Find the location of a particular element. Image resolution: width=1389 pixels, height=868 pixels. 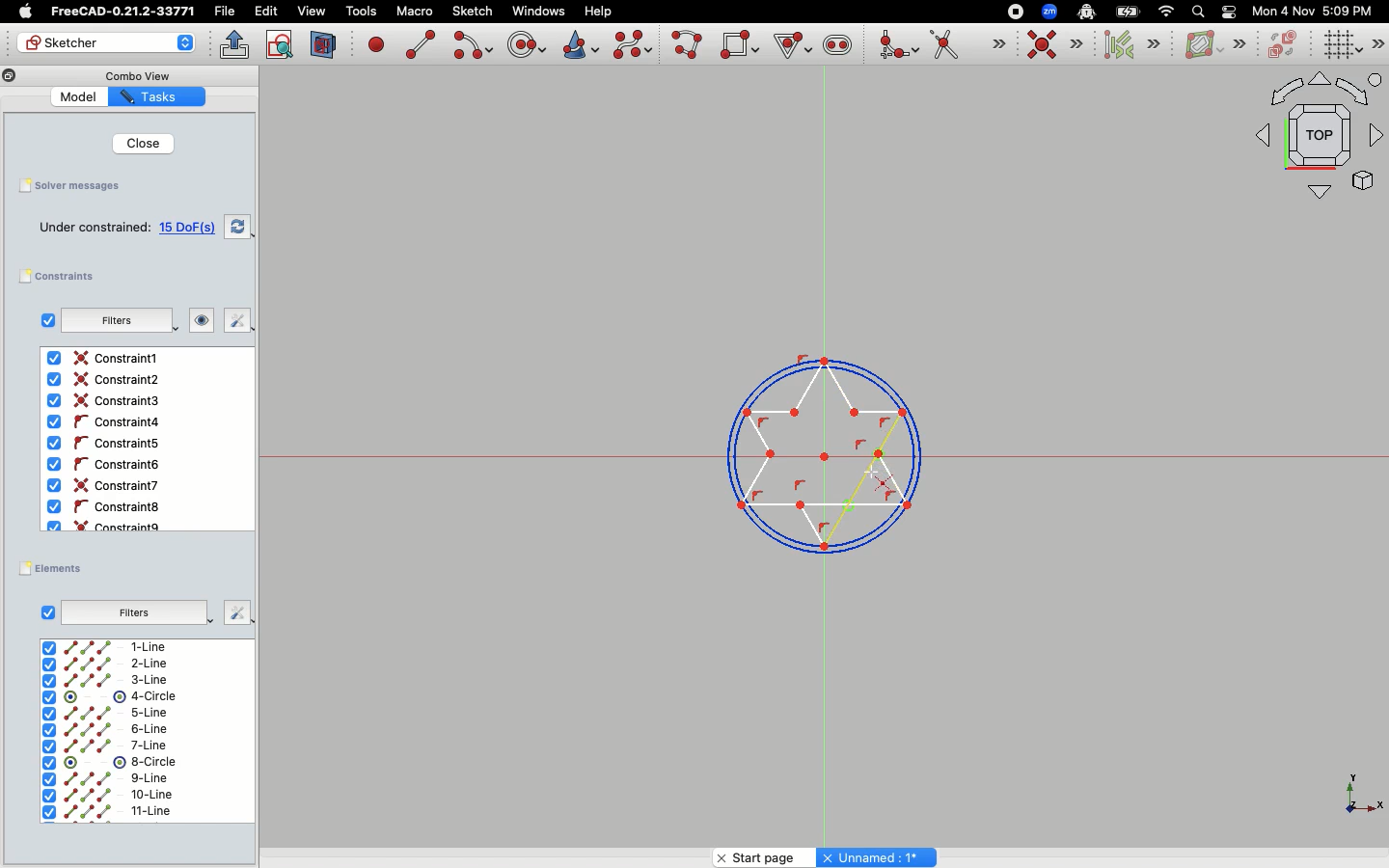

Unnamed : 1 is located at coordinates (876, 854).